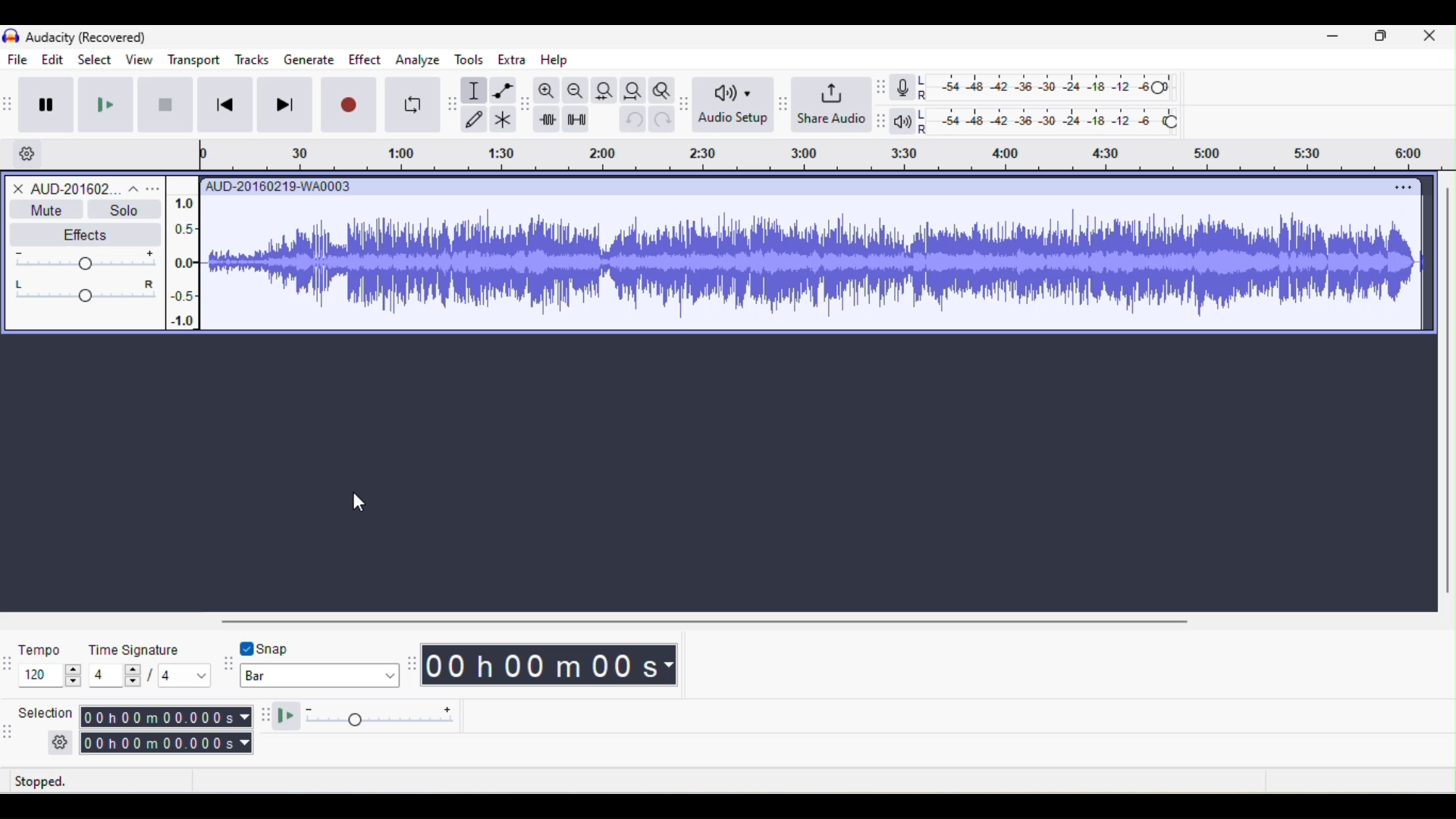  I want to click on audio setup, so click(736, 106).